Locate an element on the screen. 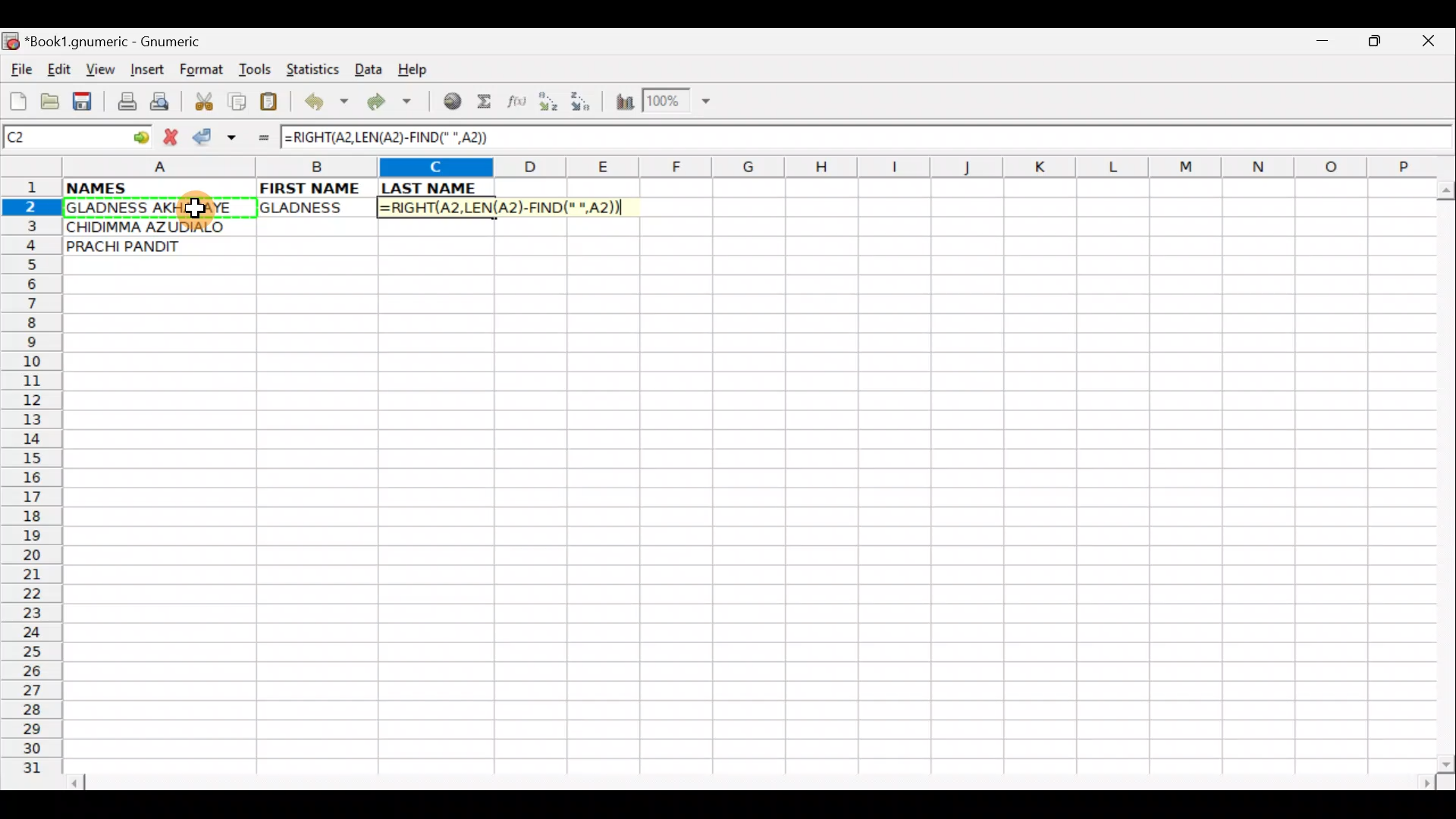 This screenshot has height=819, width=1456. Formula bar is located at coordinates (980, 137).